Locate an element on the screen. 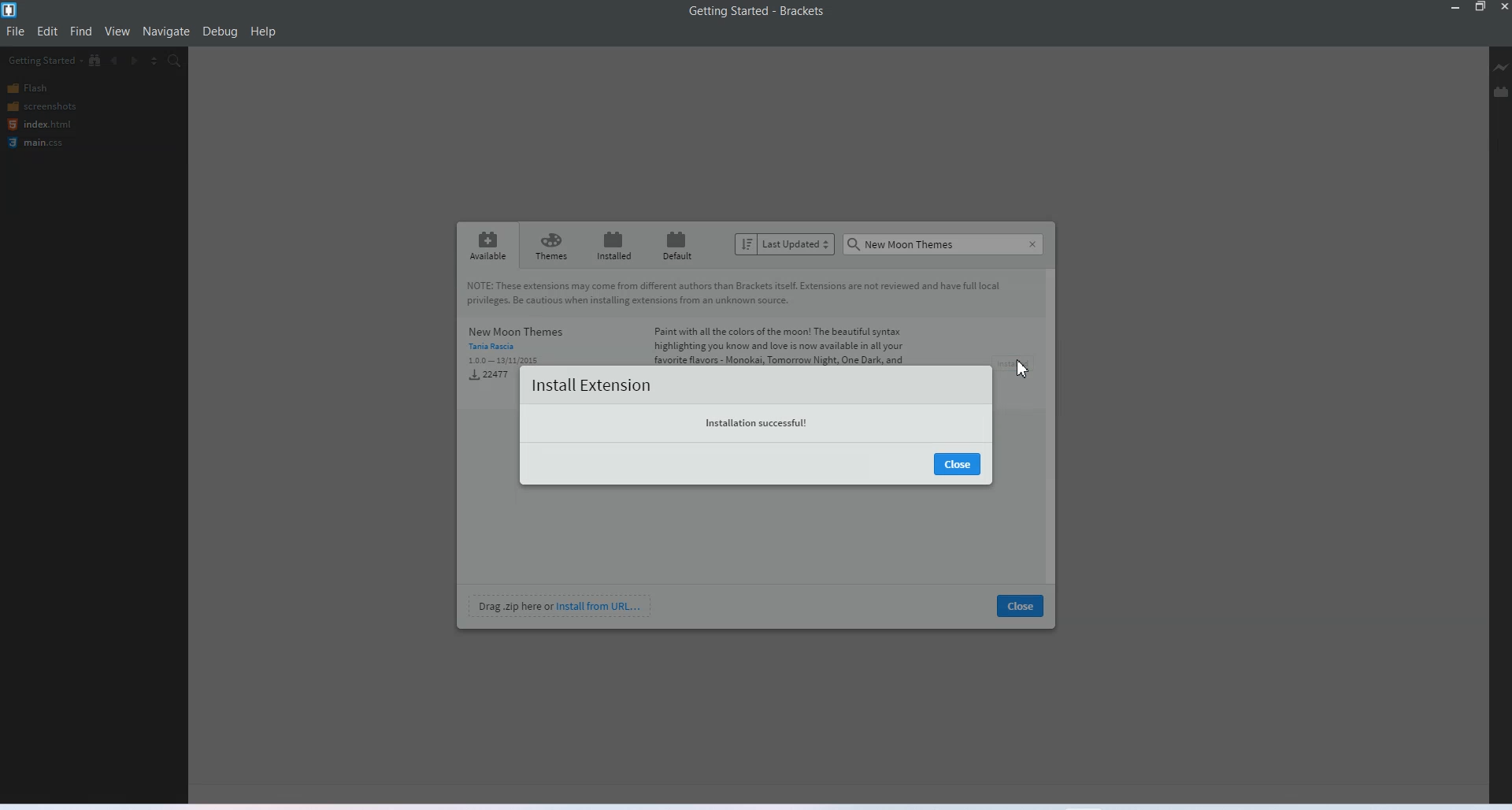 This screenshot has height=810, width=1512. Maximize is located at coordinates (1480, 9).